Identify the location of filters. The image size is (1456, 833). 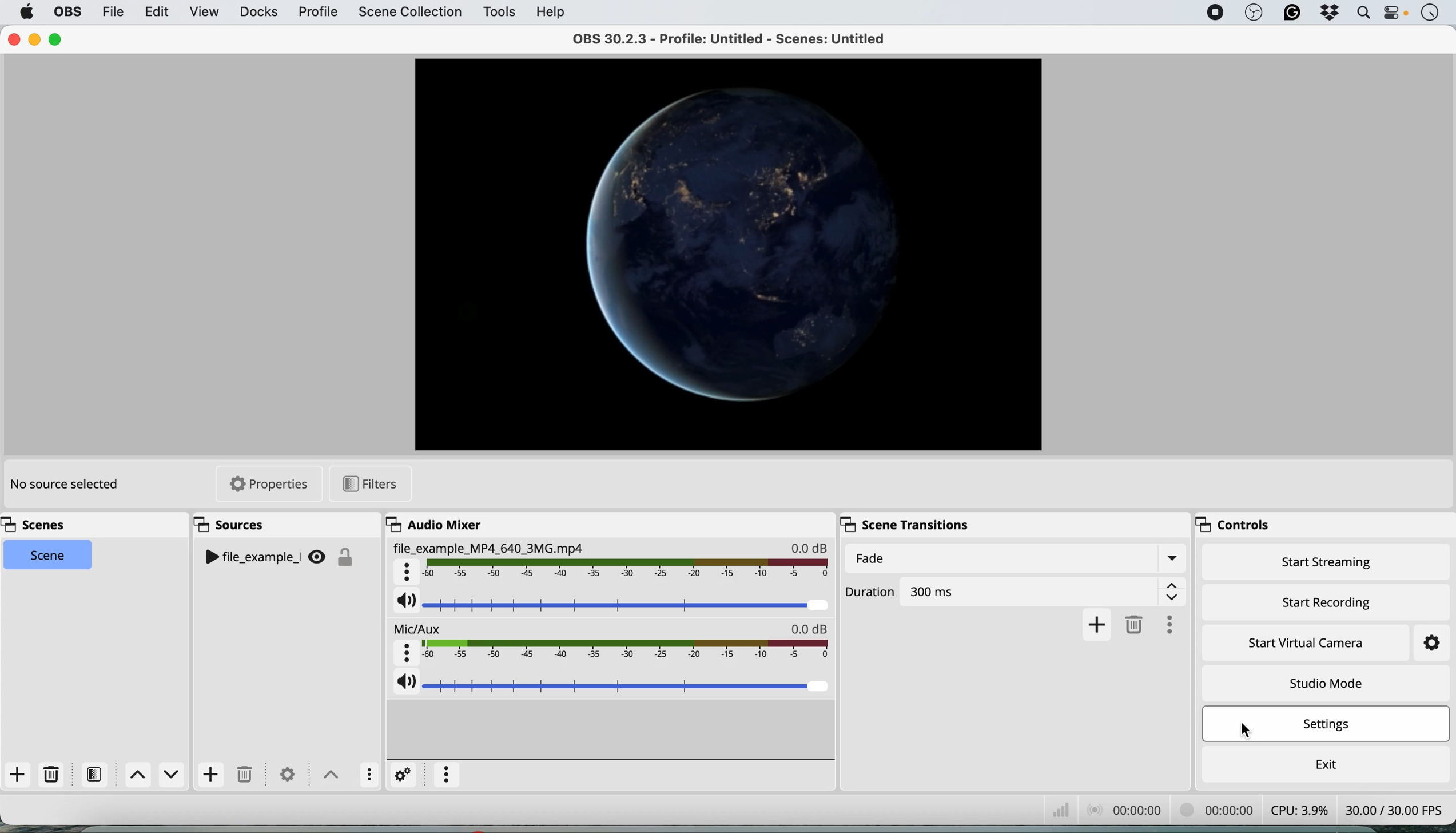
(368, 482).